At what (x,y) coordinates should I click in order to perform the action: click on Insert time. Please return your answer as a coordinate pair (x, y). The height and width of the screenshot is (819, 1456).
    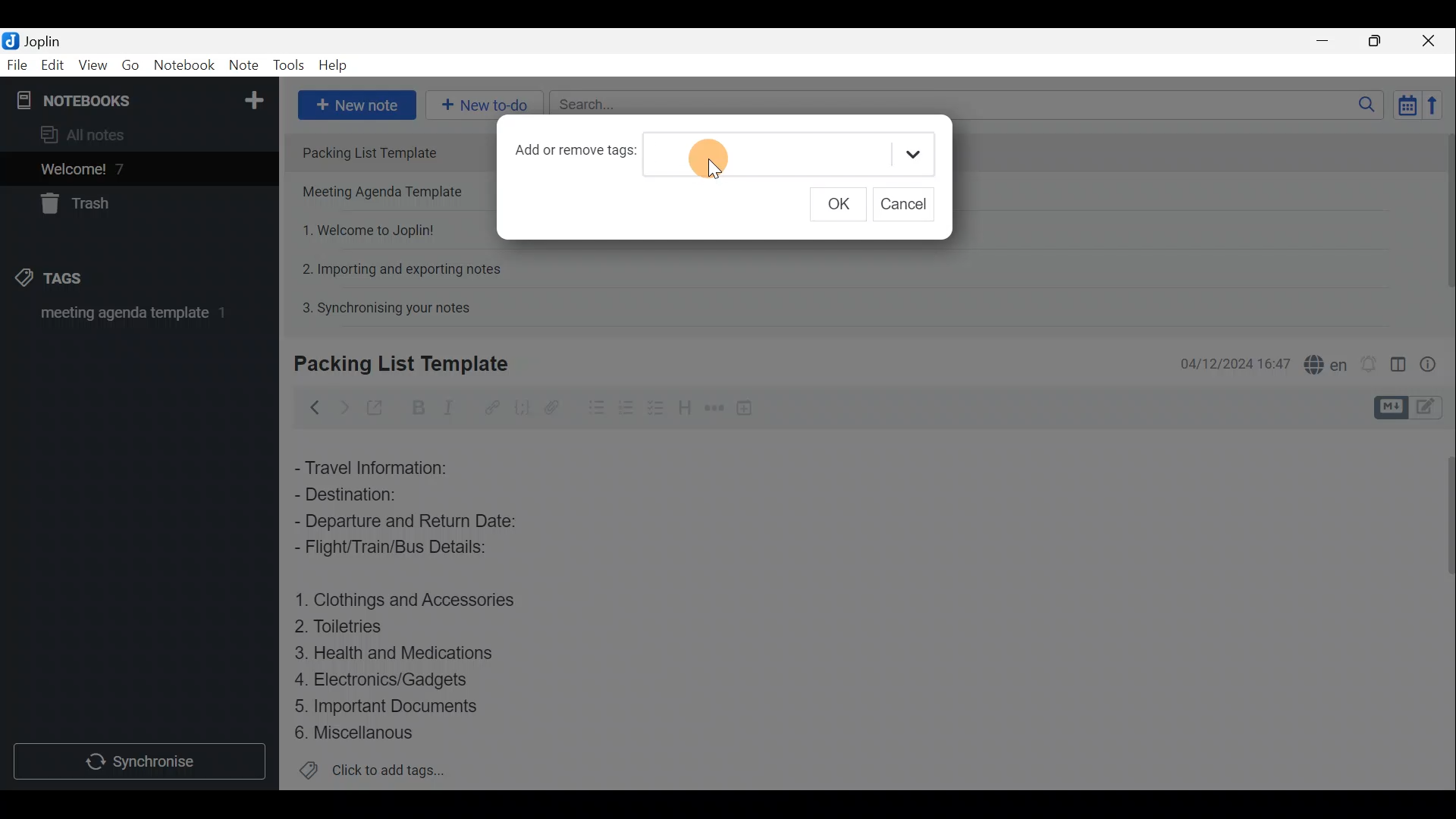
    Looking at the image, I should click on (749, 407).